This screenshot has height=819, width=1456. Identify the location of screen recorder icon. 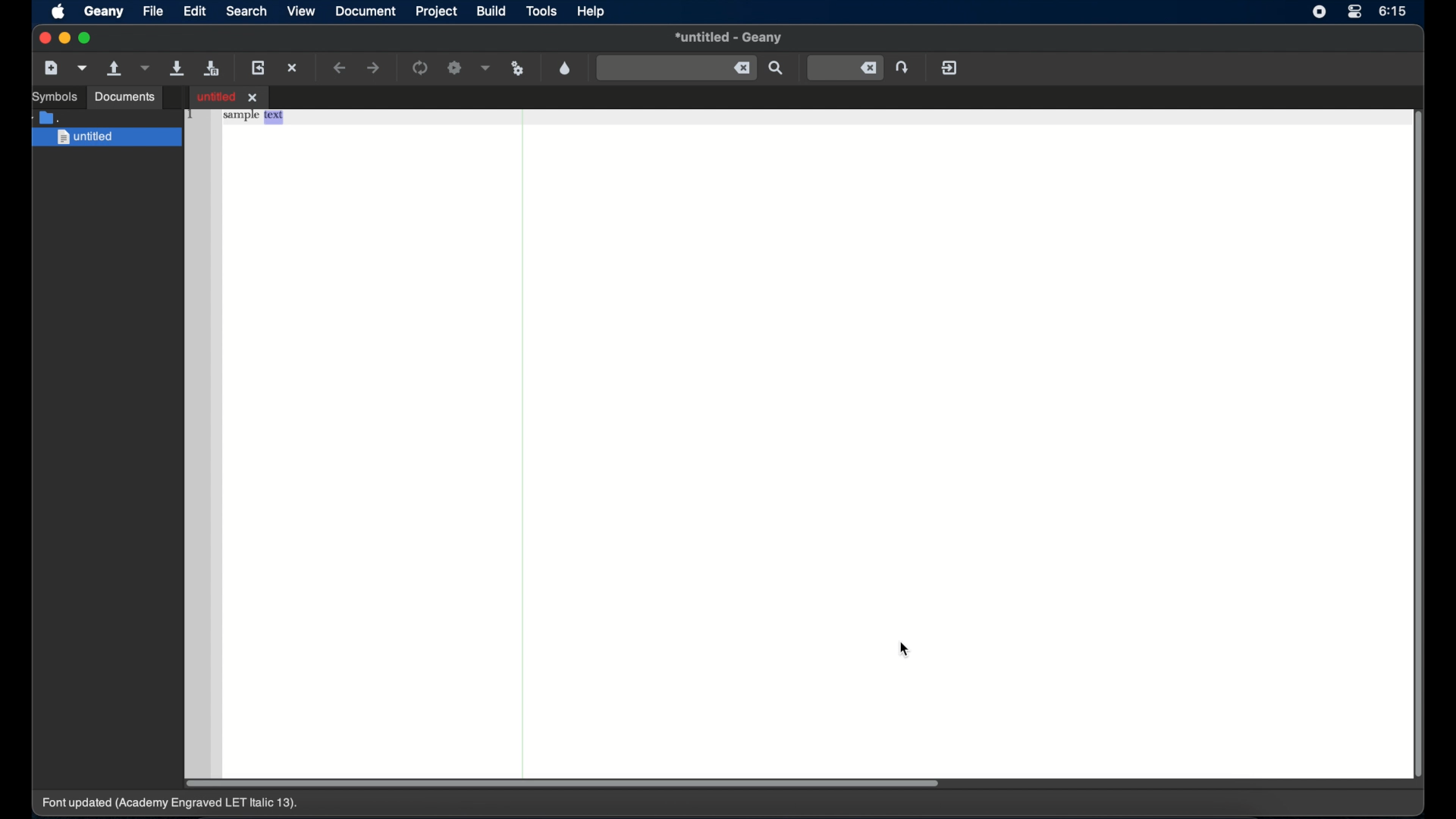
(1319, 13).